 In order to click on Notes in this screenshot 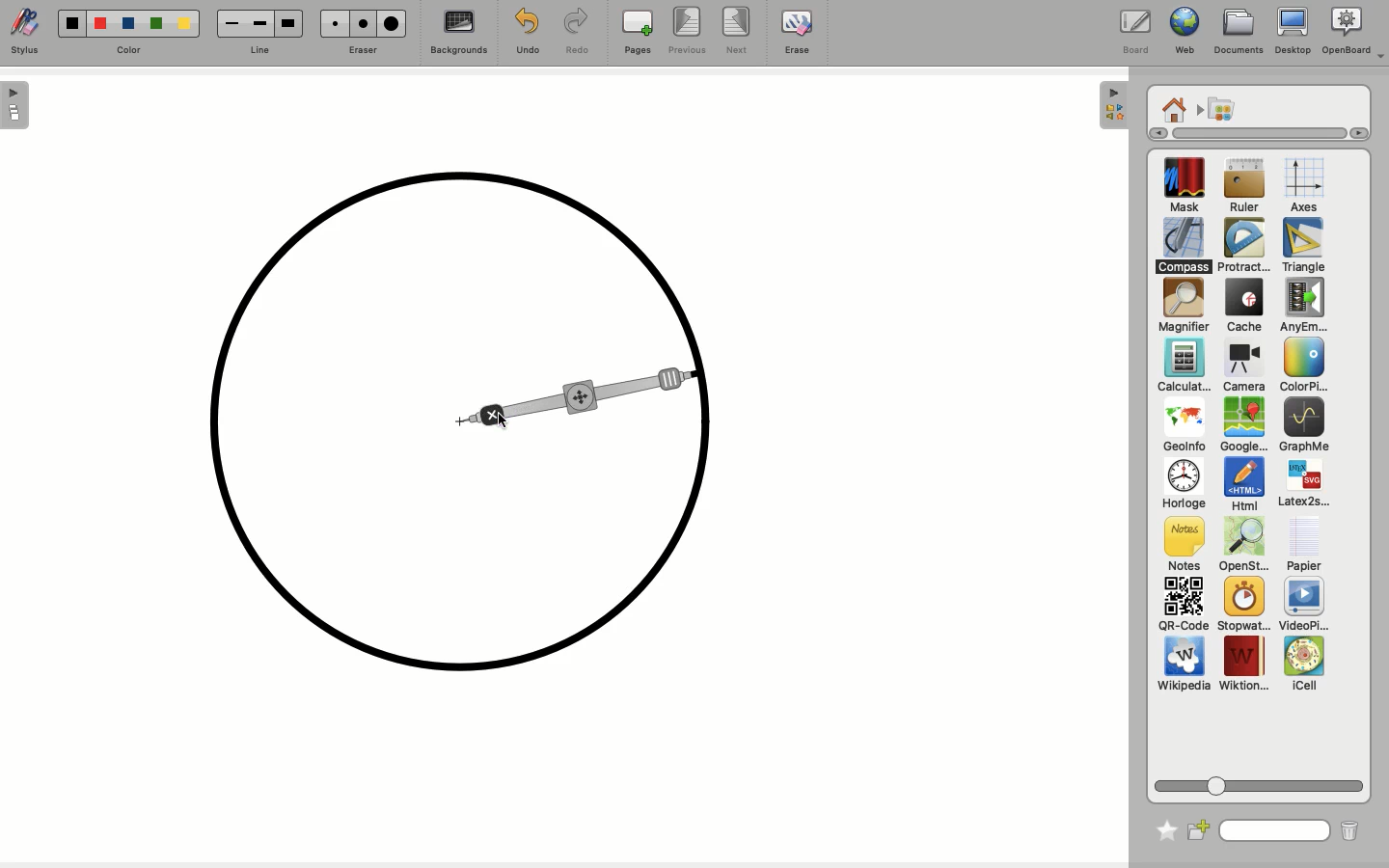, I will do `click(1181, 545)`.